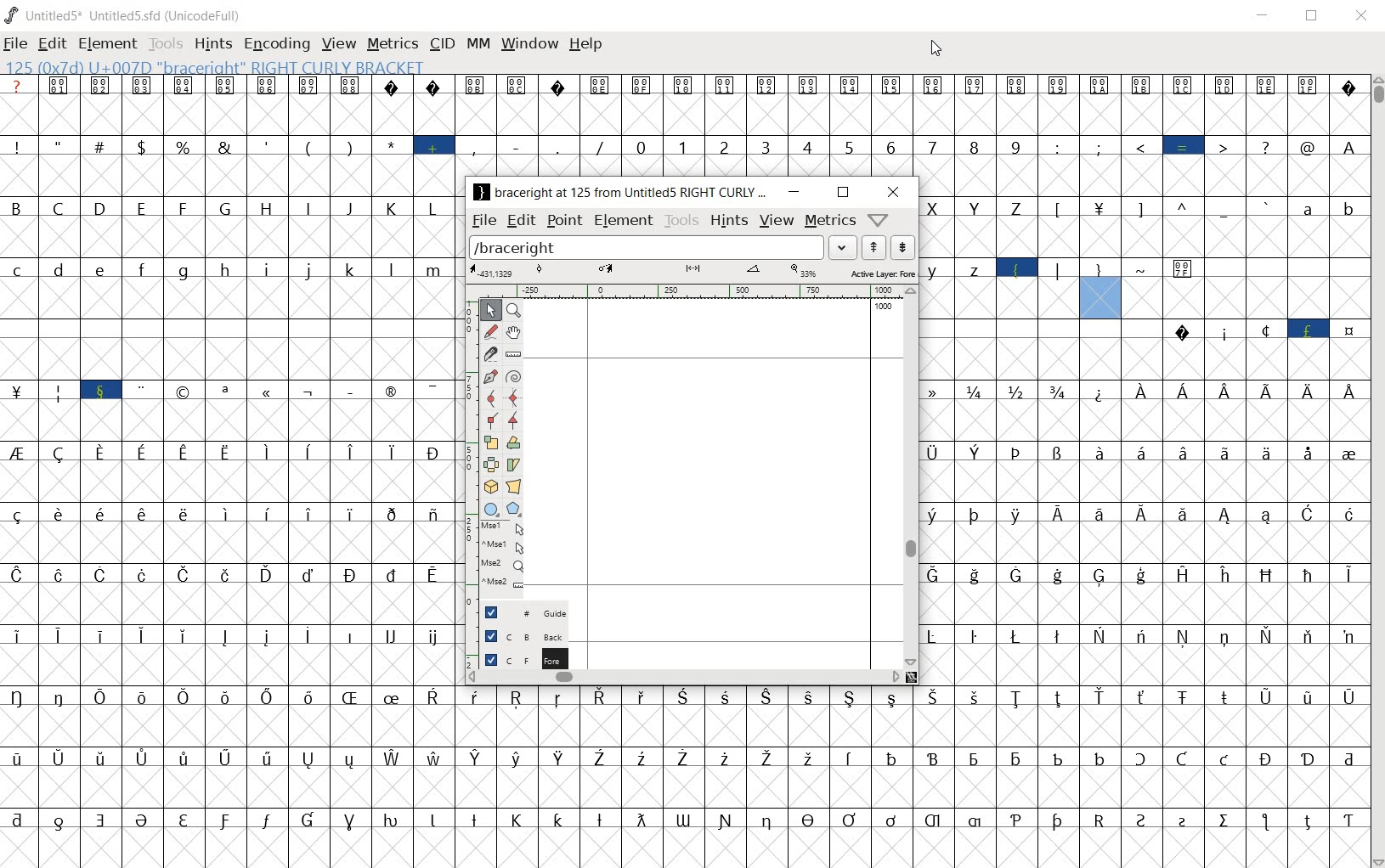 Image resolution: width=1385 pixels, height=868 pixels. I want to click on glyph characters, so click(910, 777).